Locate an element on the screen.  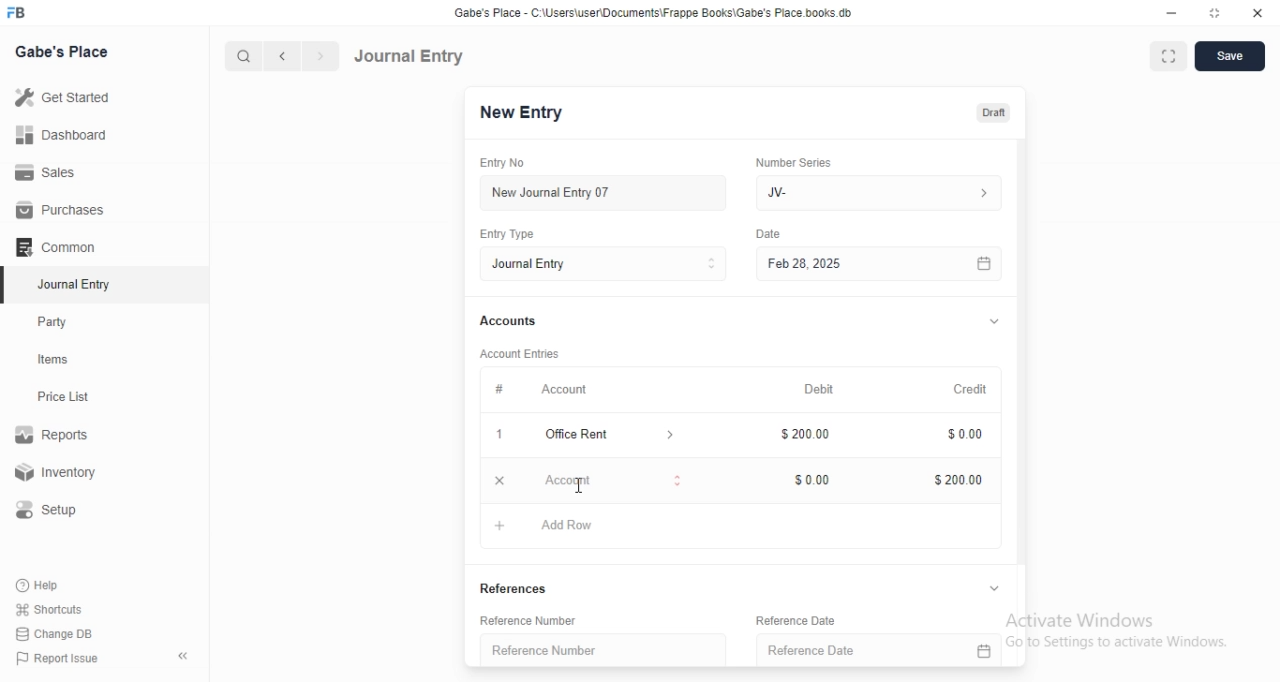
Price List is located at coordinates (62, 397).